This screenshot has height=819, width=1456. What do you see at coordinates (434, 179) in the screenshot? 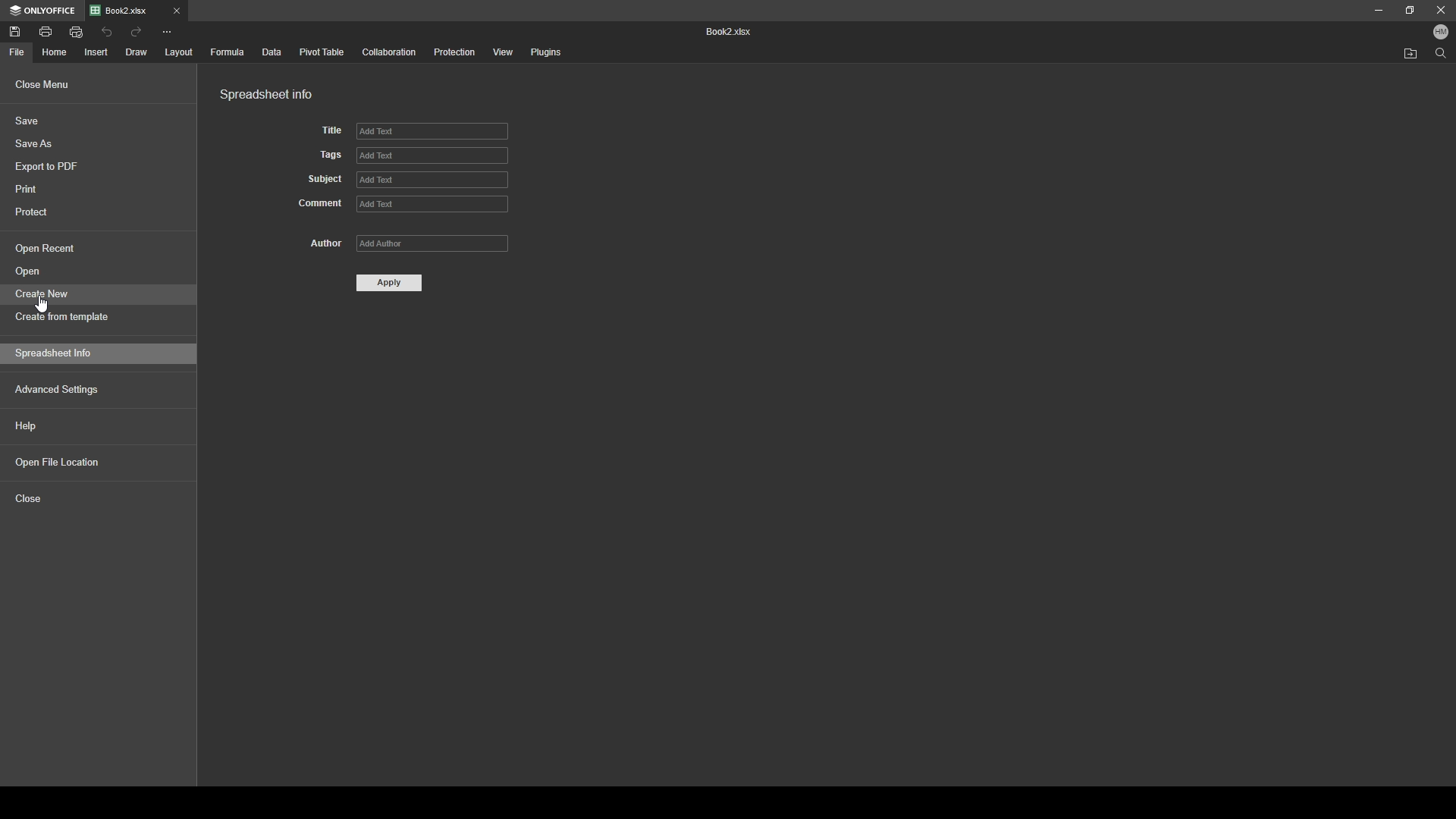
I see `add text` at bounding box center [434, 179].